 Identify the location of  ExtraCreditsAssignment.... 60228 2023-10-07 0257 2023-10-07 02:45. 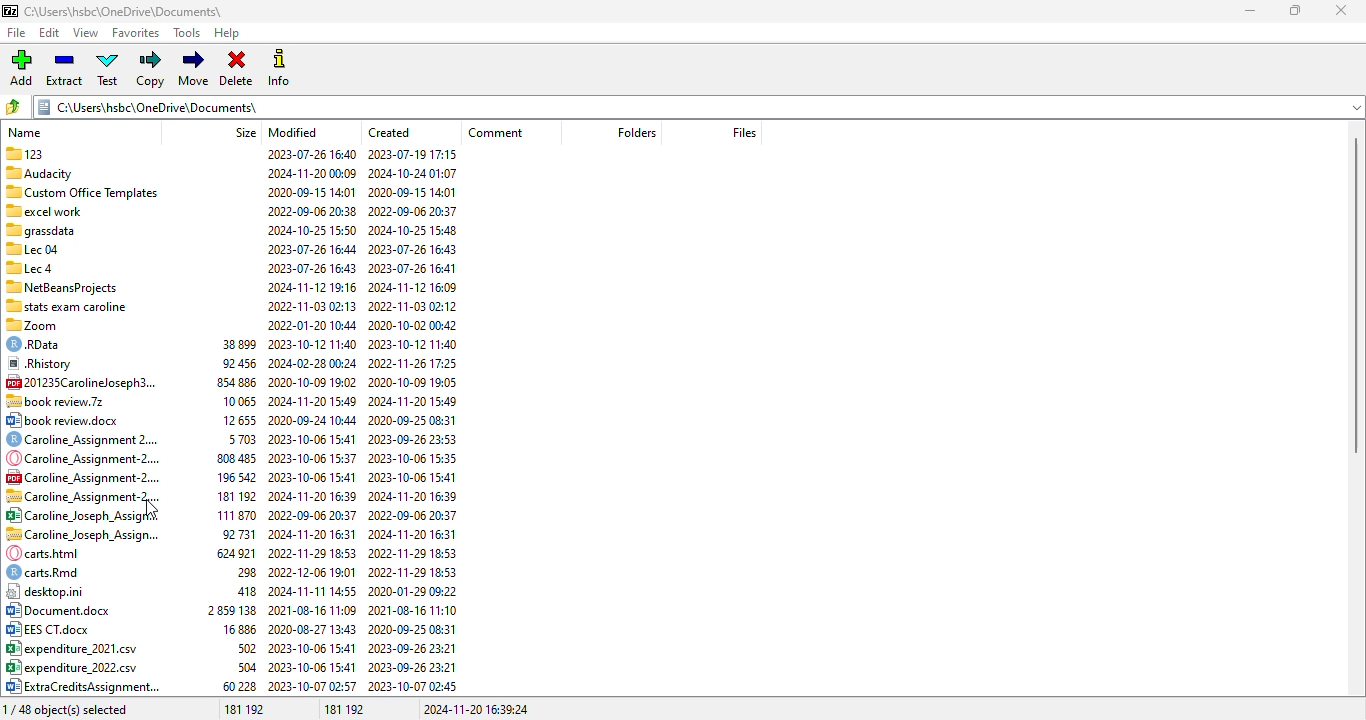
(231, 687).